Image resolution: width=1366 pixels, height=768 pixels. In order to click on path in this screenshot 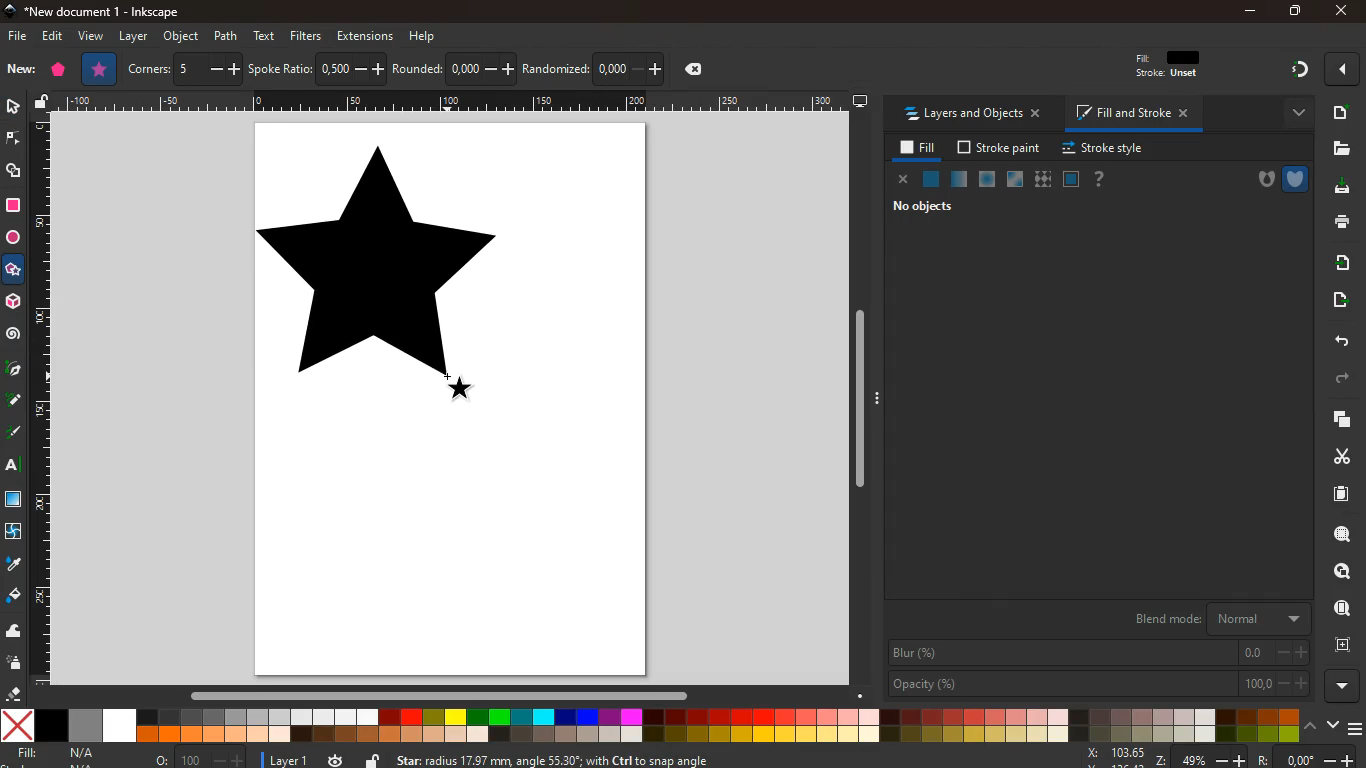, I will do `click(228, 36)`.